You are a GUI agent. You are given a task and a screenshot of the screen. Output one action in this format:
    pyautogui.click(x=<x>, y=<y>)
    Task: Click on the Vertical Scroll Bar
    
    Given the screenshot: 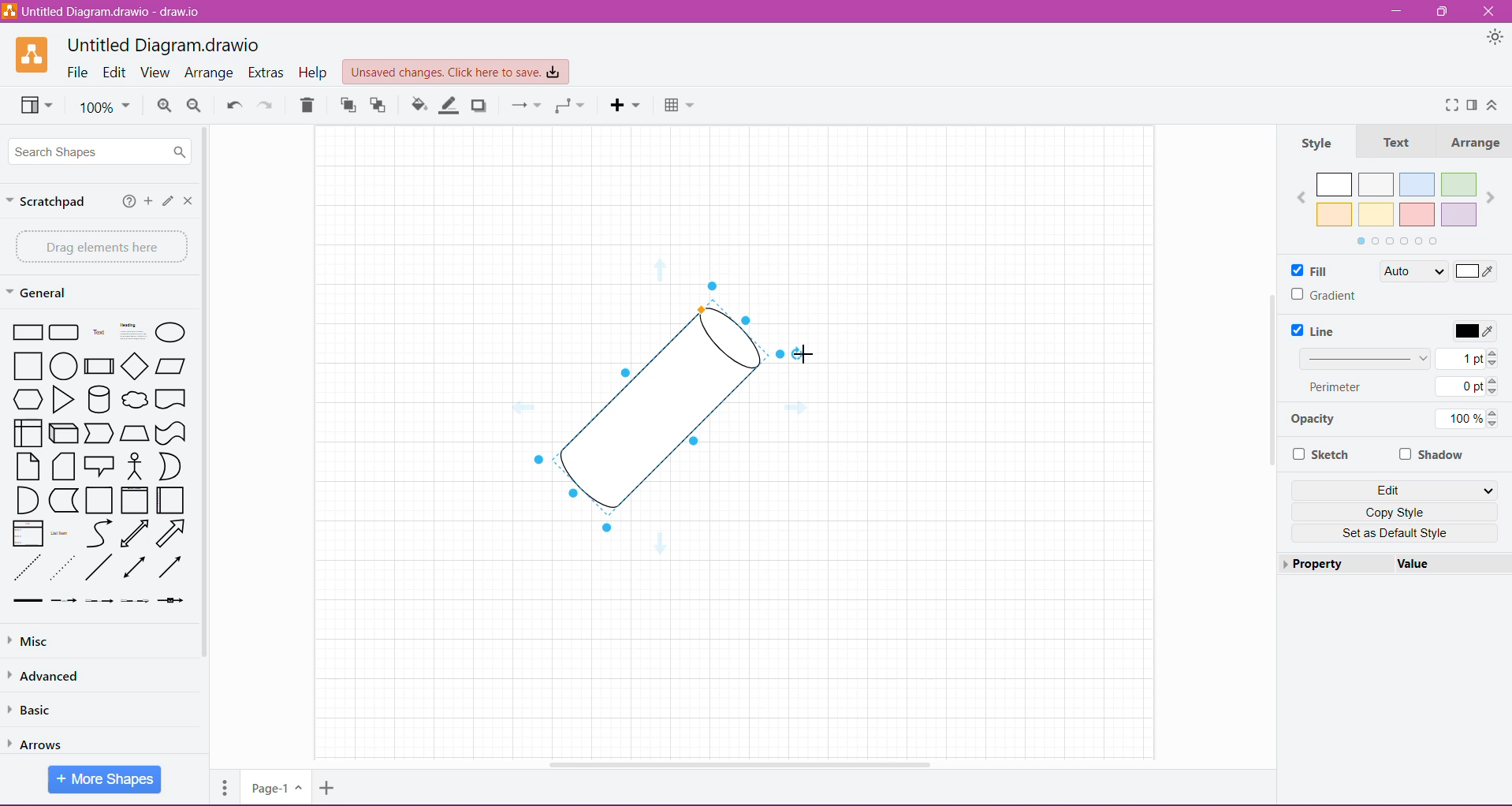 What is the action you would take?
    pyautogui.click(x=211, y=404)
    